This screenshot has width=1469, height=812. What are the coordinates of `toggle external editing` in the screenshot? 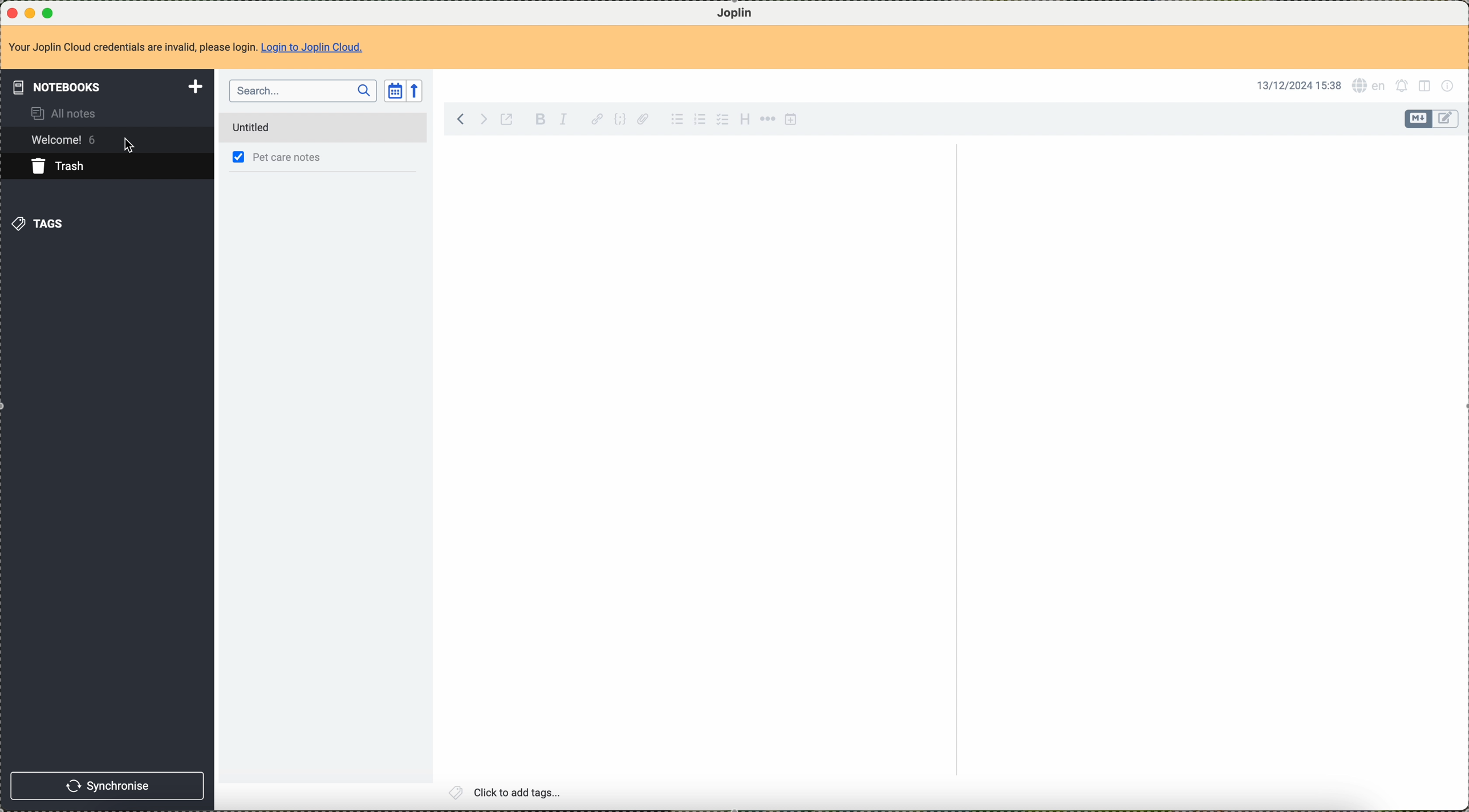 It's located at (510, 119).